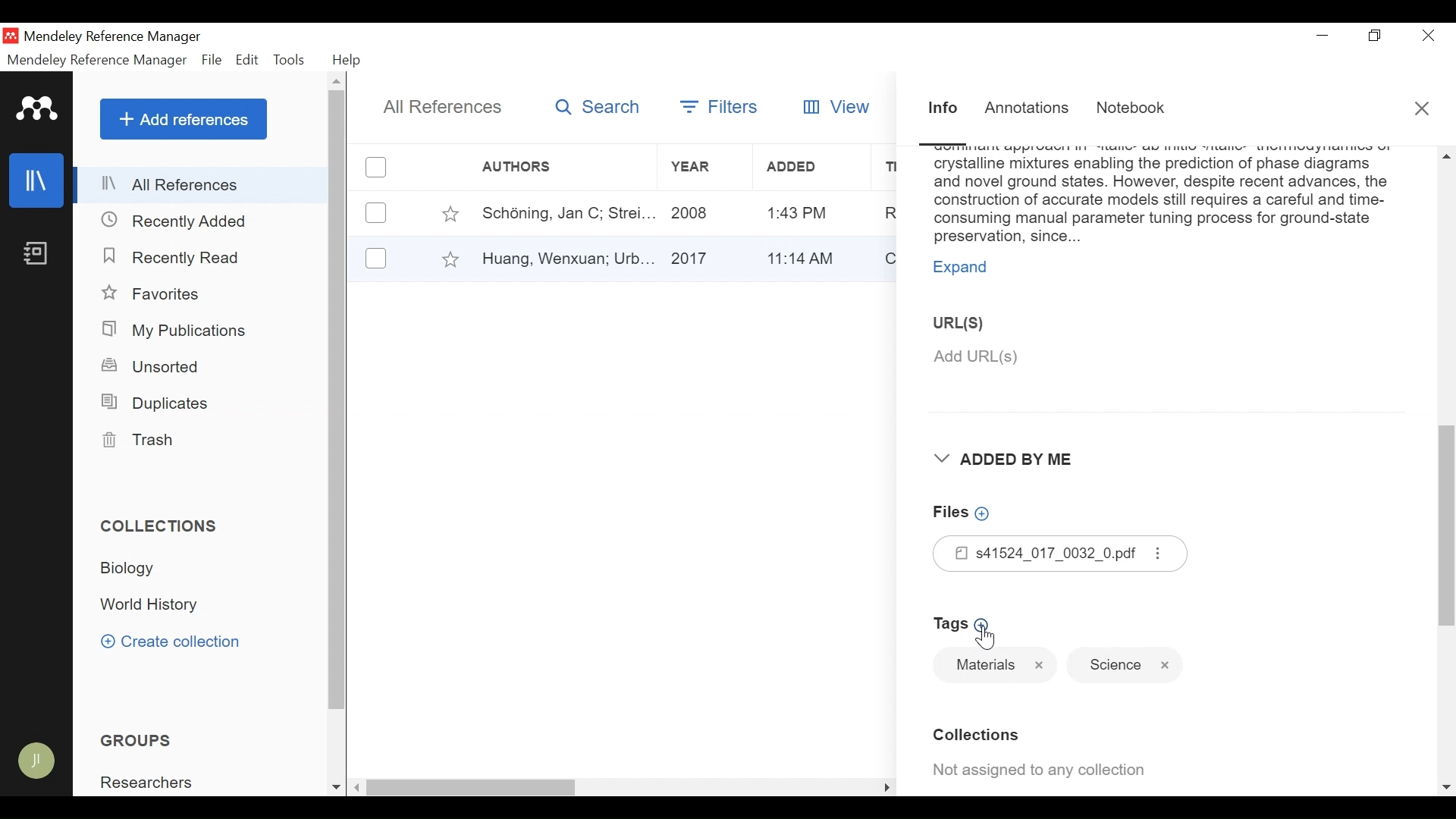 The height and width of the screenshot is (819, 1456). What do you see at coordinates (140, 741) in the screenshot?
I see `Groups` at bounding box center [140, 741].